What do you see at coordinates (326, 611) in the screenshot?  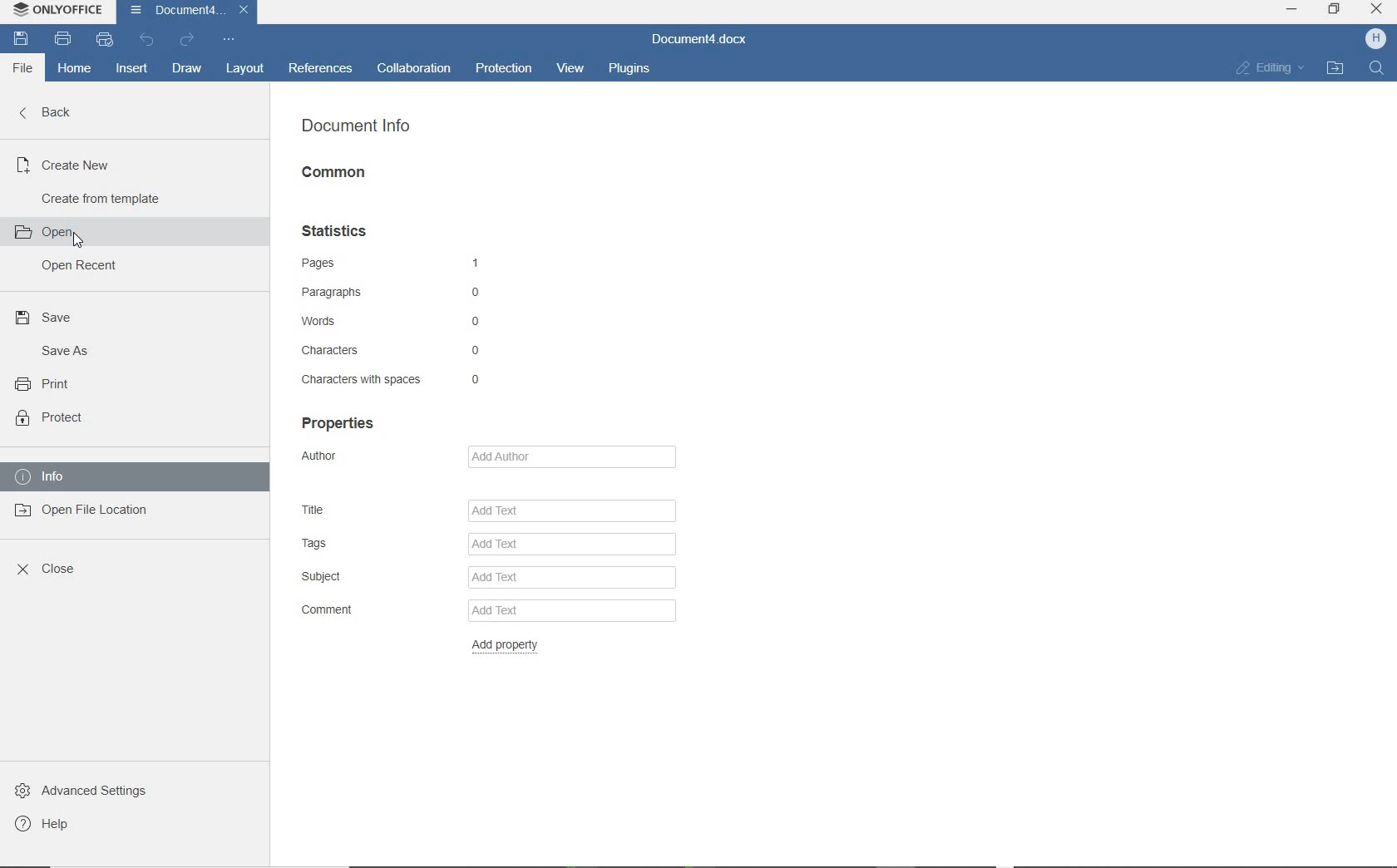 I see `comment` at bounding box center [326, 611].